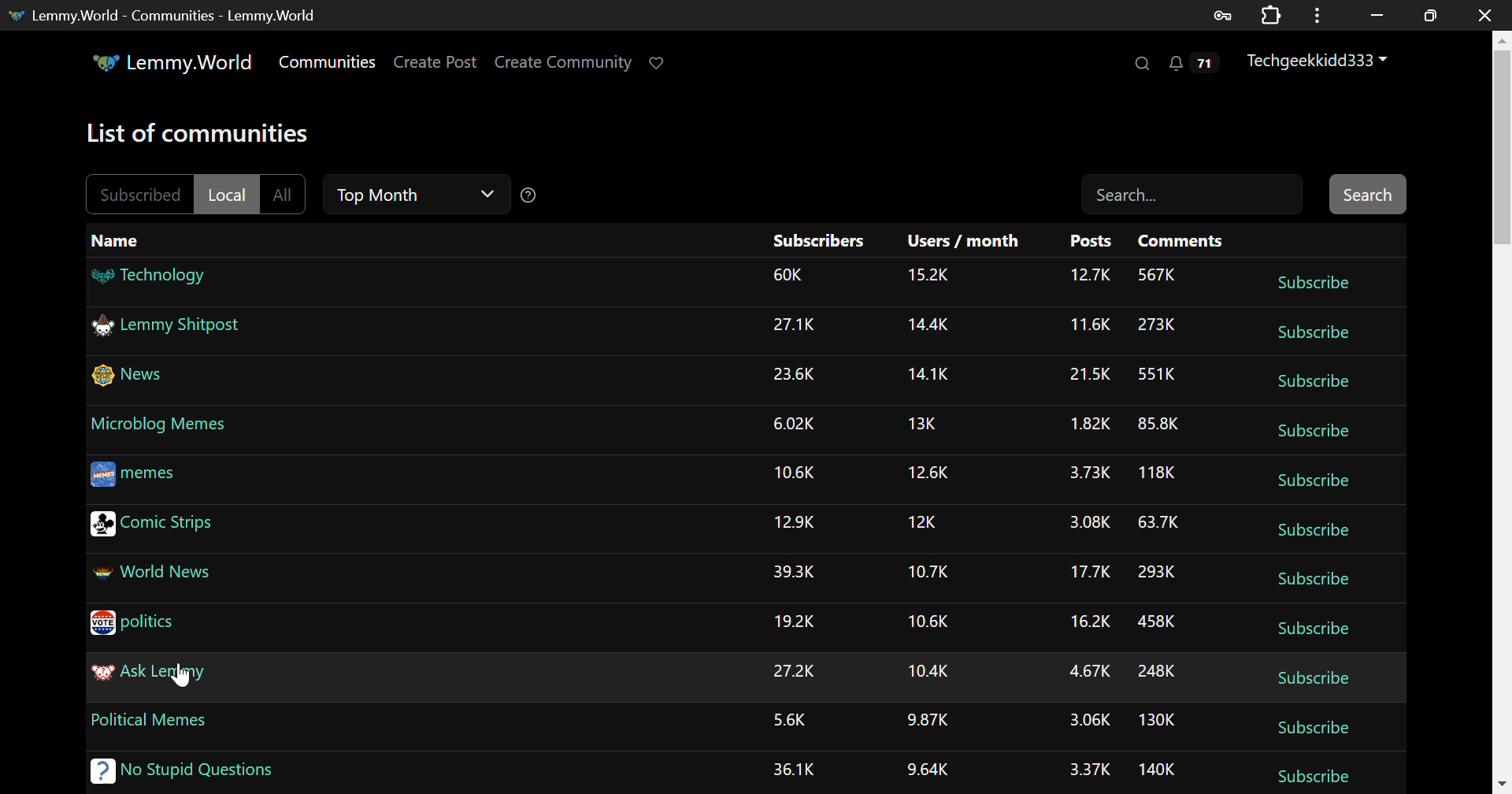 Image resolution: width=1512 pixels, height=794 pixels. What do you see at coordinates (793, 327) in the screenshot?
I see `Amount` at bounding box center [793, 327].